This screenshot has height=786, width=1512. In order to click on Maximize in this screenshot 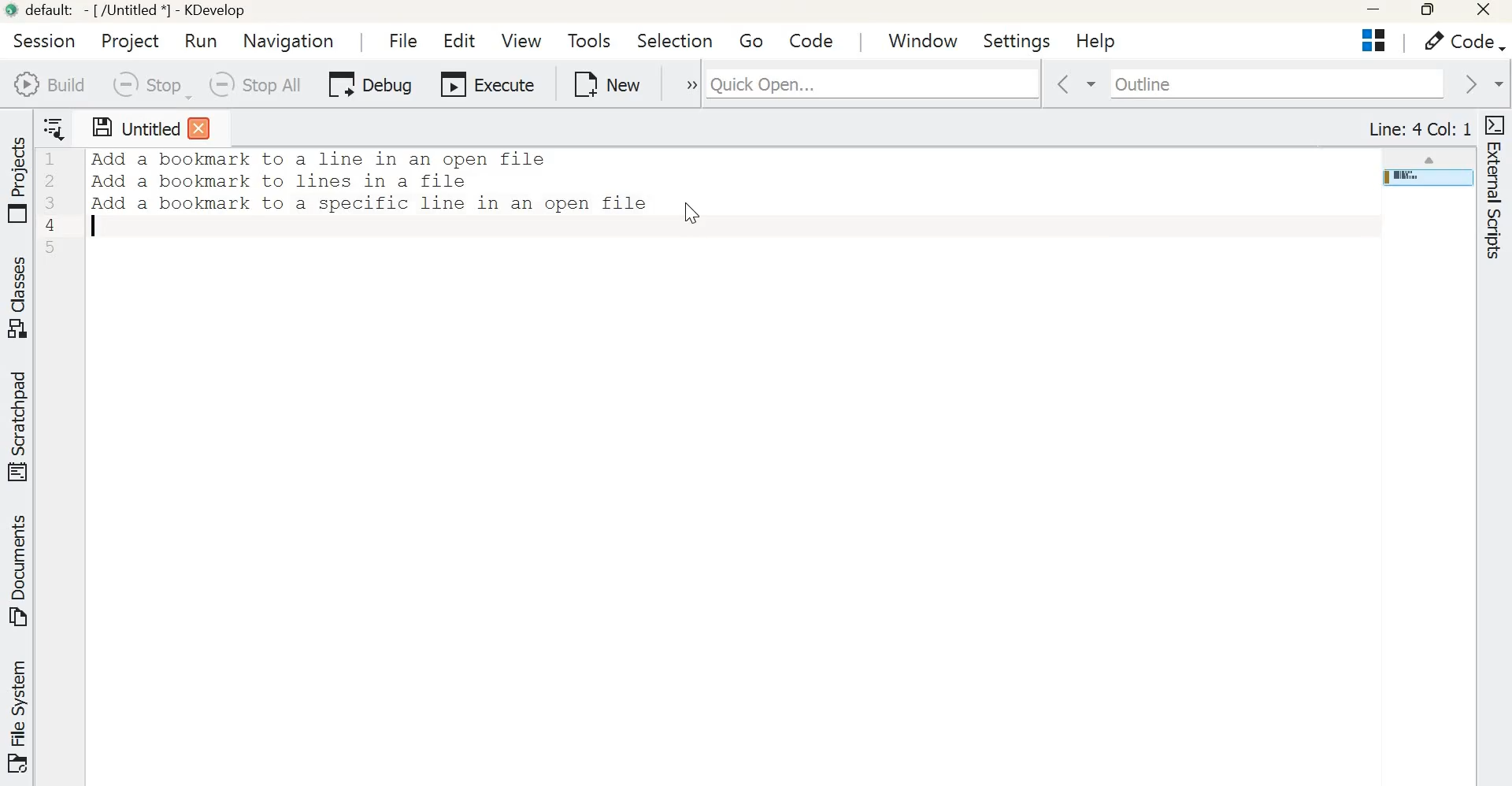, I will do `click(1431, 11)`.